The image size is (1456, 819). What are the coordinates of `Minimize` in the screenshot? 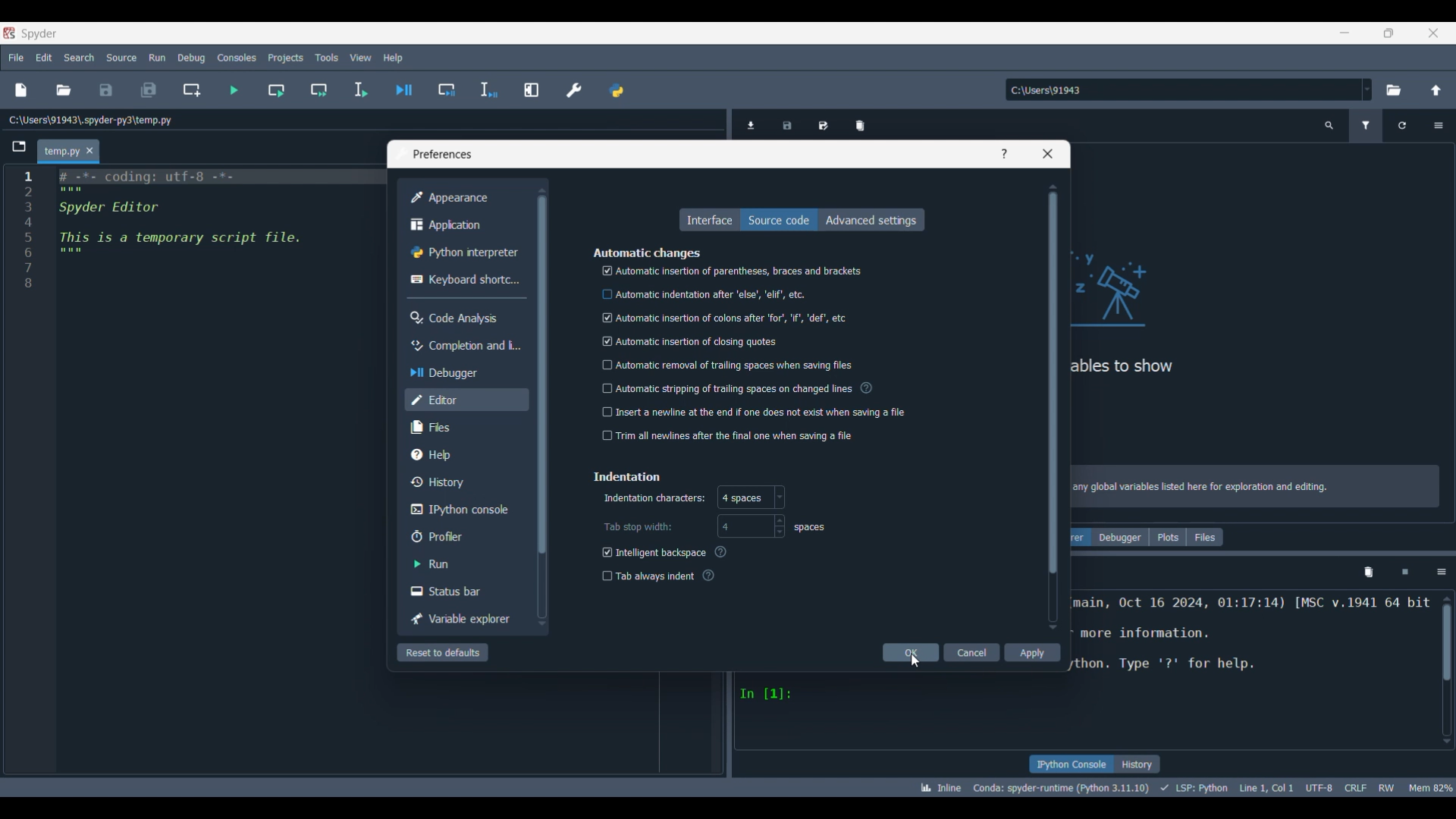 It's located at (1345, 33).